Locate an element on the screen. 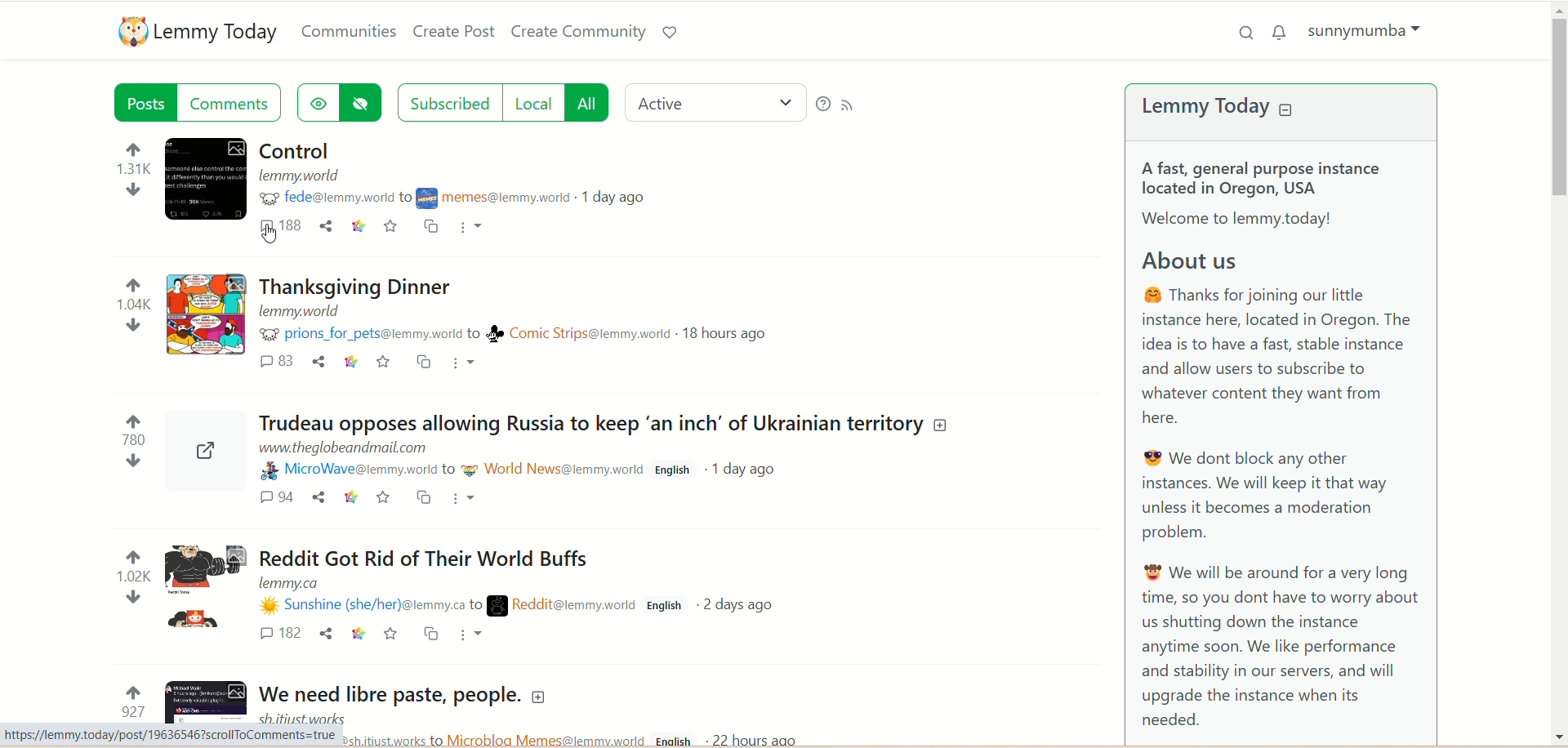 The image size is (1568, 748). votes up and down is located at coordinates (125, 310).